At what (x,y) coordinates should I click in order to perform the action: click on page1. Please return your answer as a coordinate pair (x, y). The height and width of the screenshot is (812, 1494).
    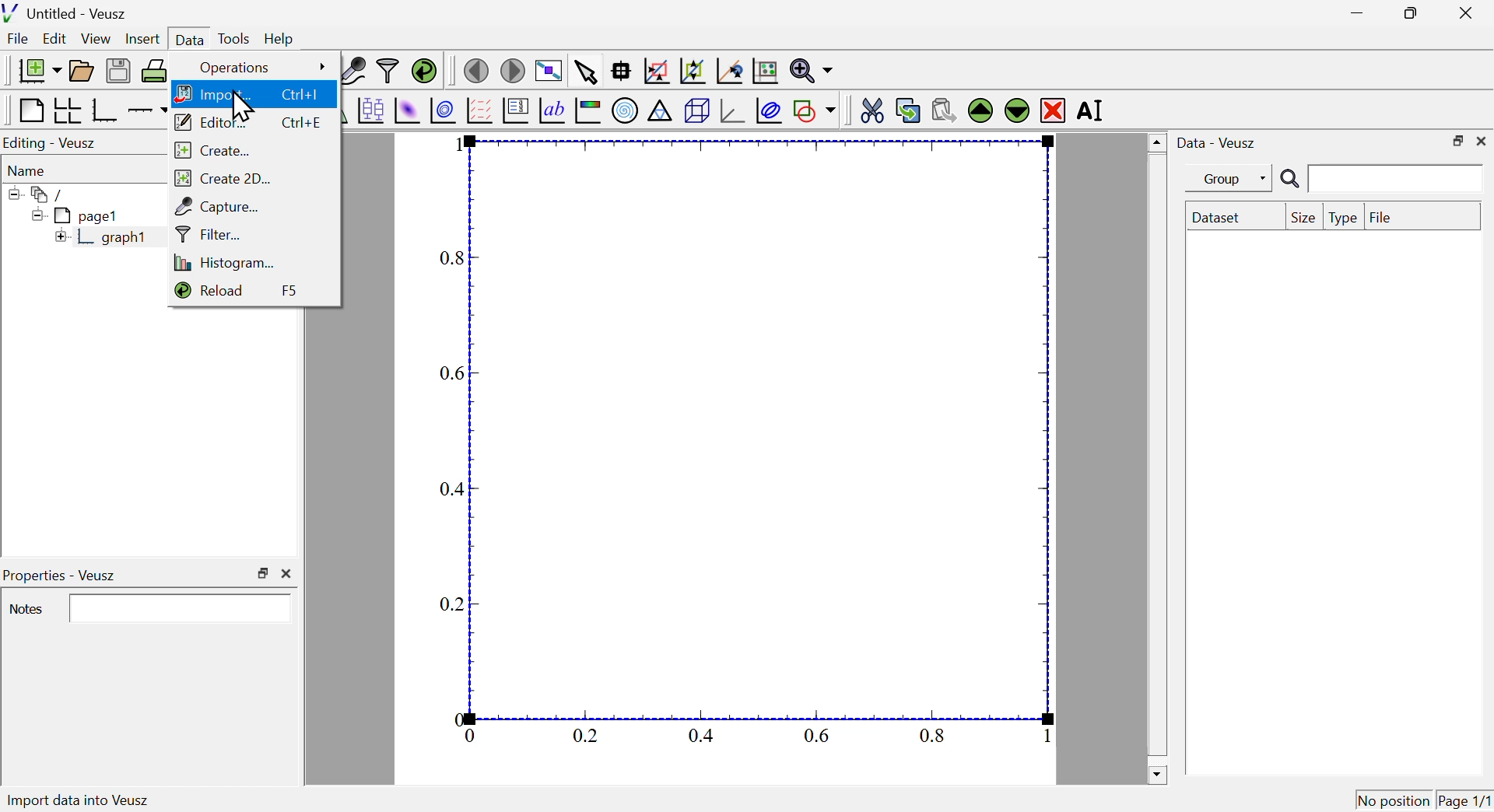
    Looking at the image, I should click on (77, 215).